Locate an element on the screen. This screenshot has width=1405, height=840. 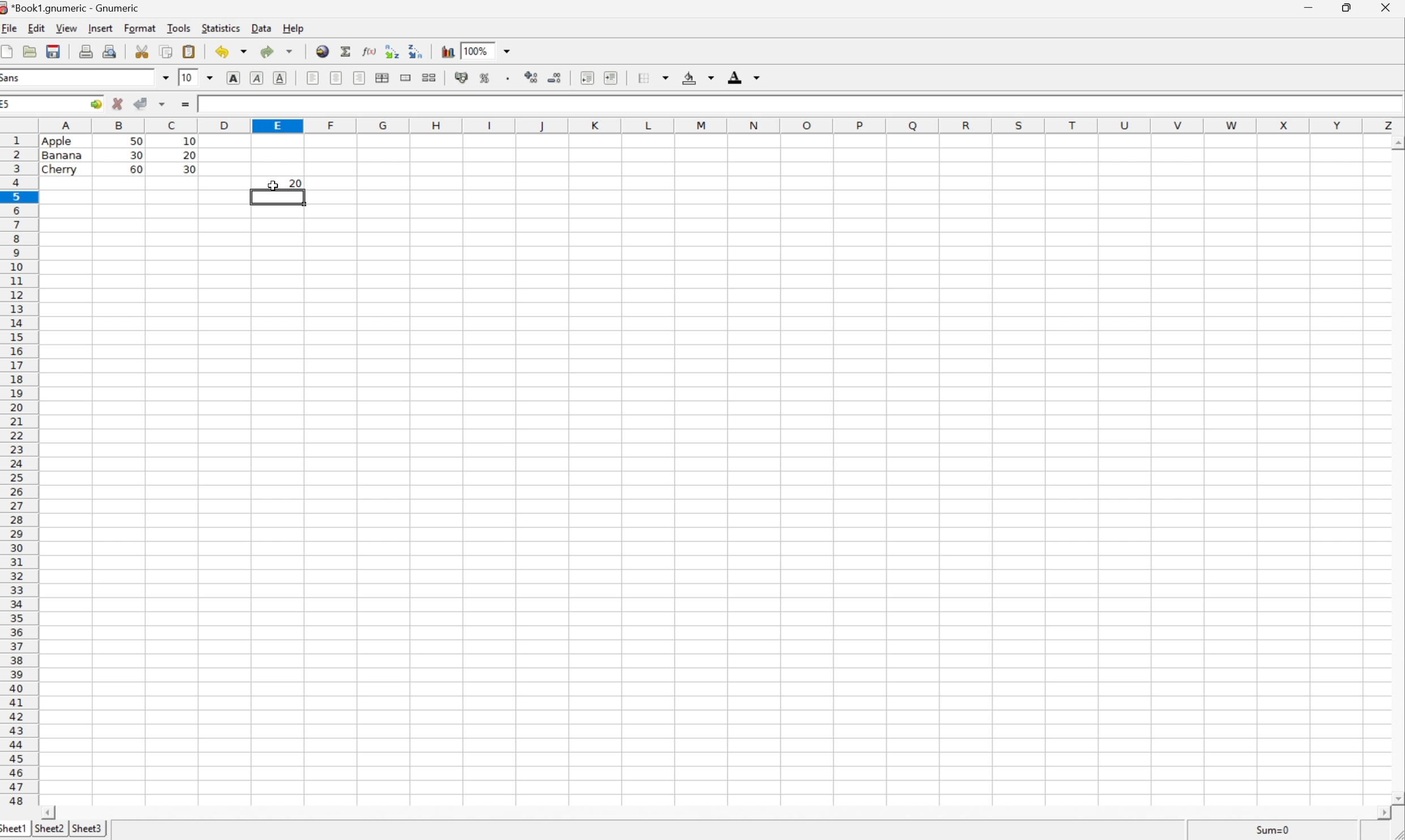
go to is located at coordinates (96, 104).